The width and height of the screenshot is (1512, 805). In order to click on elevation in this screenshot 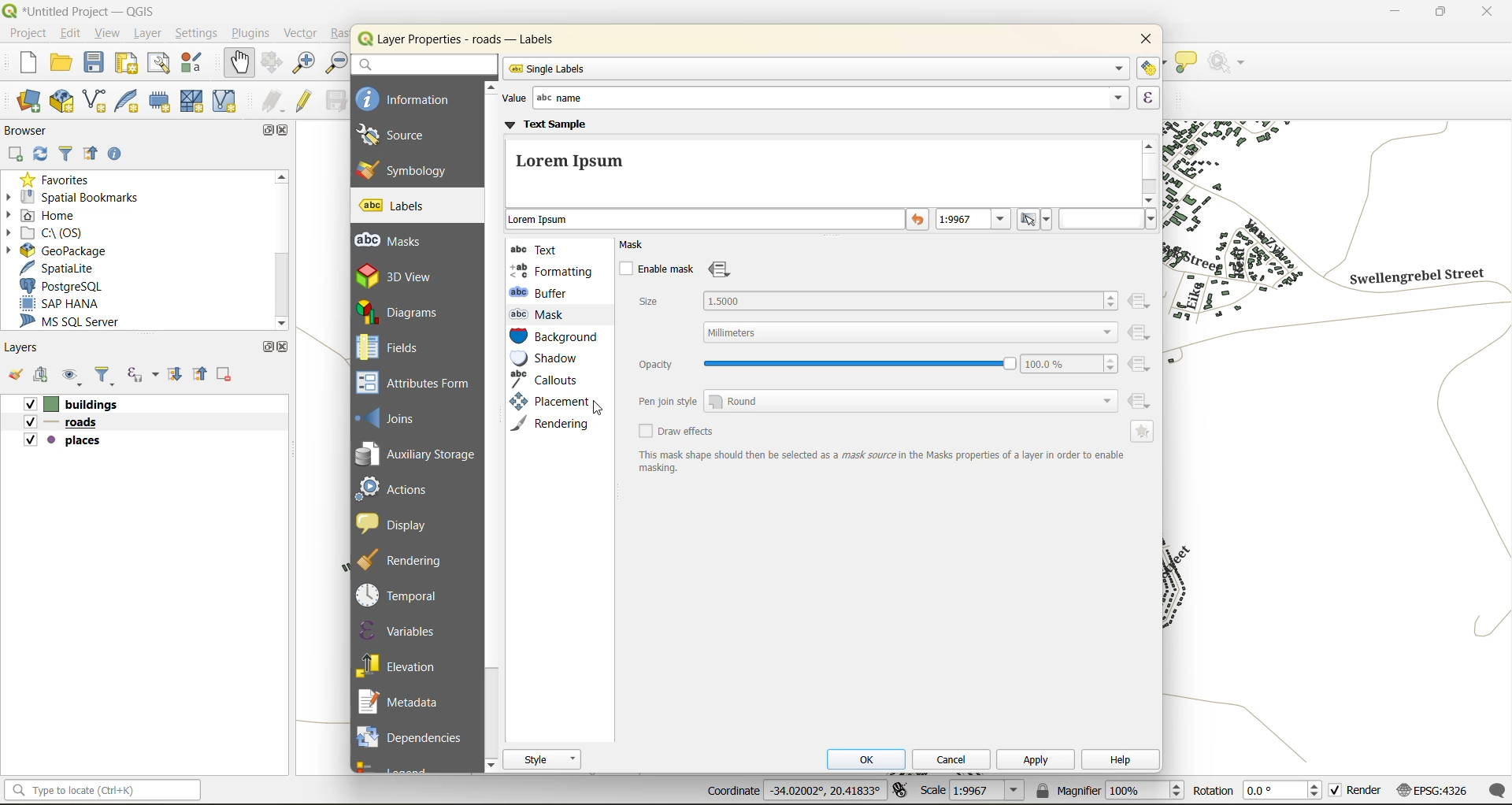, I will do `click(403, 664)`.